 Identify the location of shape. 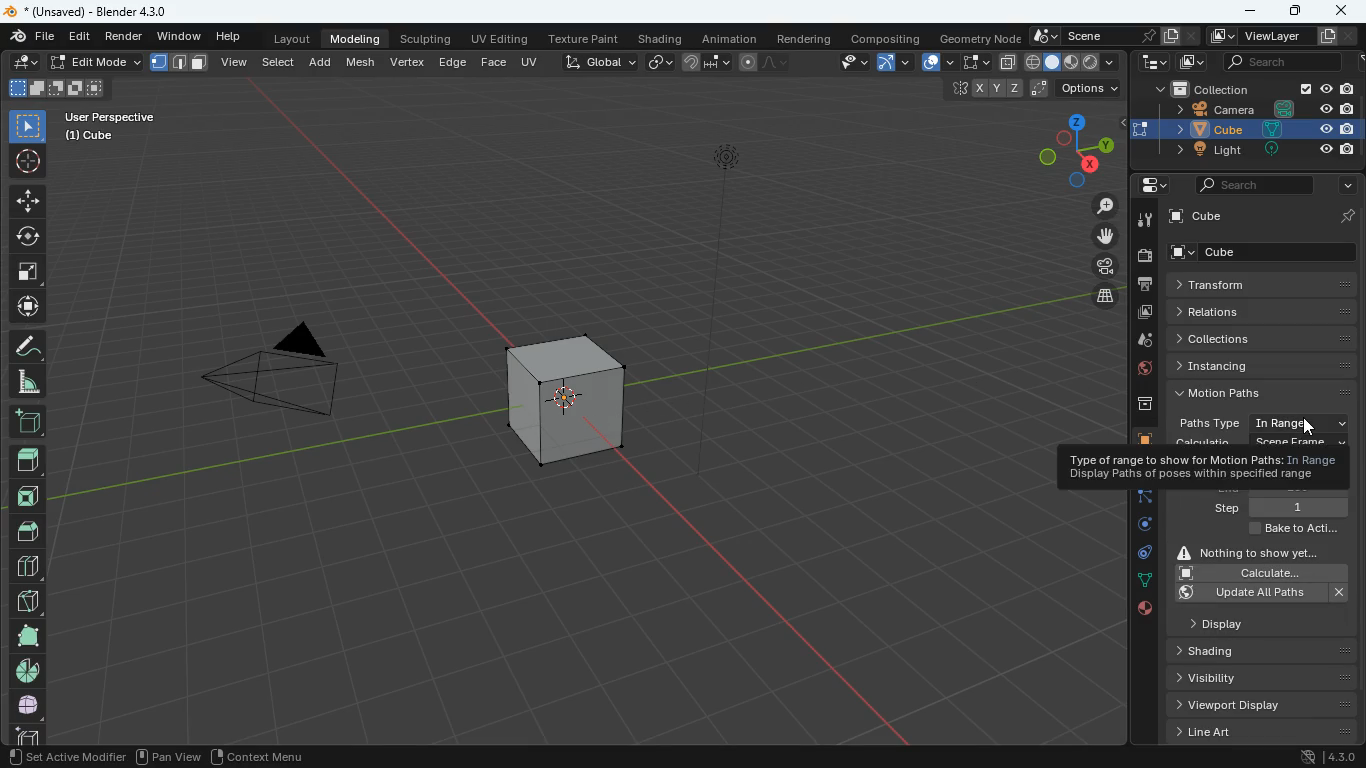
(56, 87).